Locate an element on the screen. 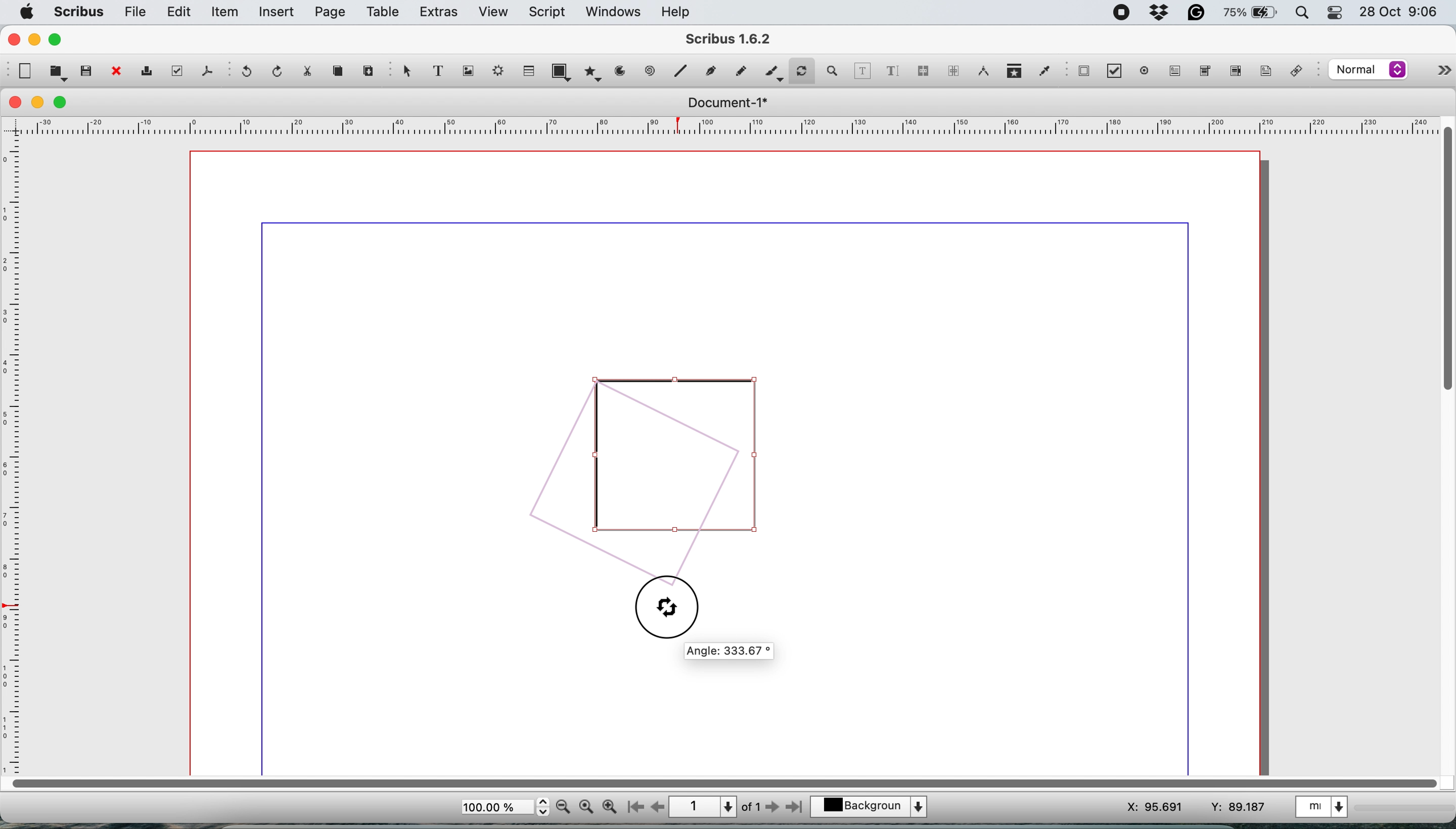 This screenshot has width=1456, height=829. measurements is located at coordinates (982, 72).